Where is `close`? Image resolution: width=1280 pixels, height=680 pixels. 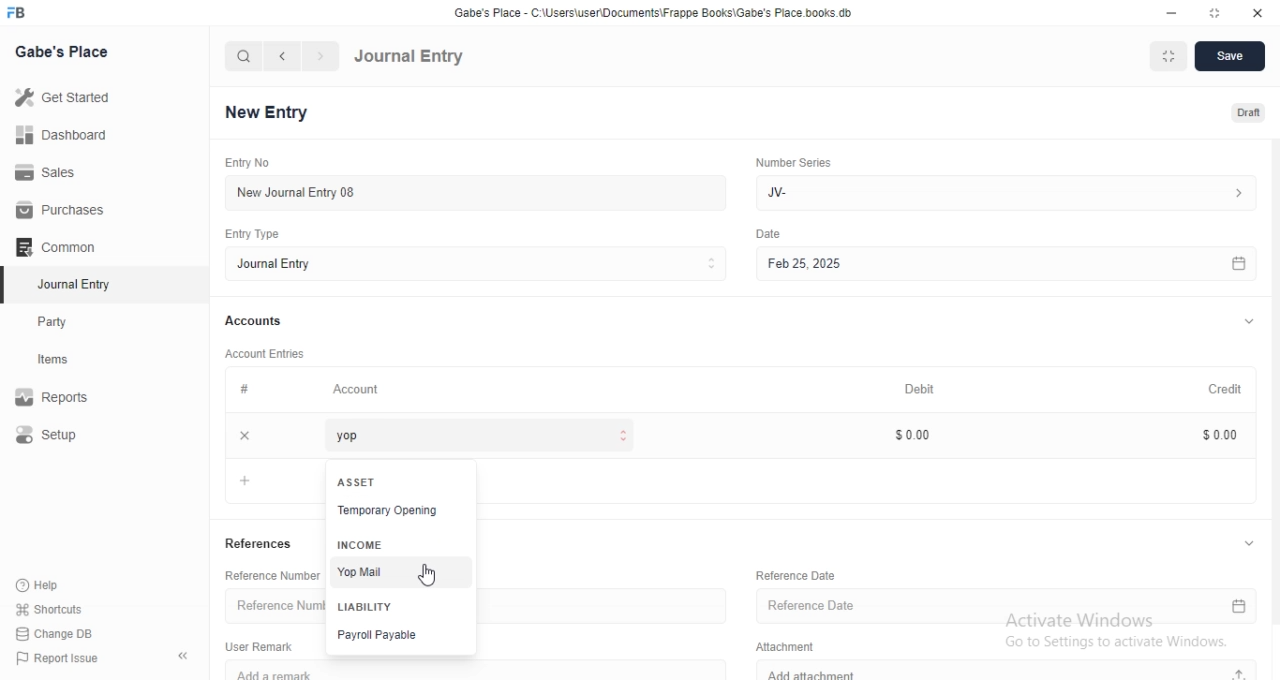
close is located at coordinates (245, 435).